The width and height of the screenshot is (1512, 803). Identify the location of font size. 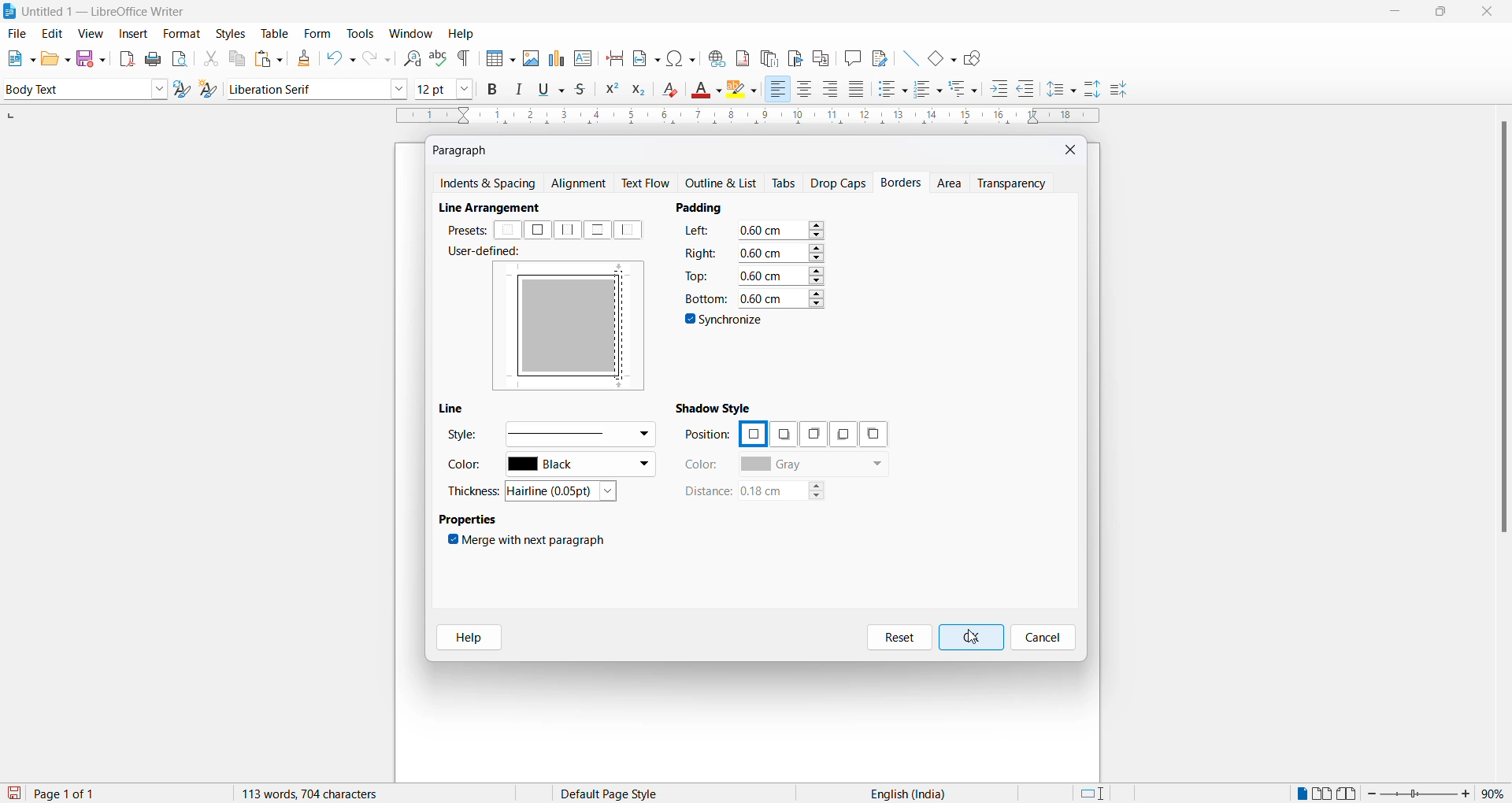
(432, 88).